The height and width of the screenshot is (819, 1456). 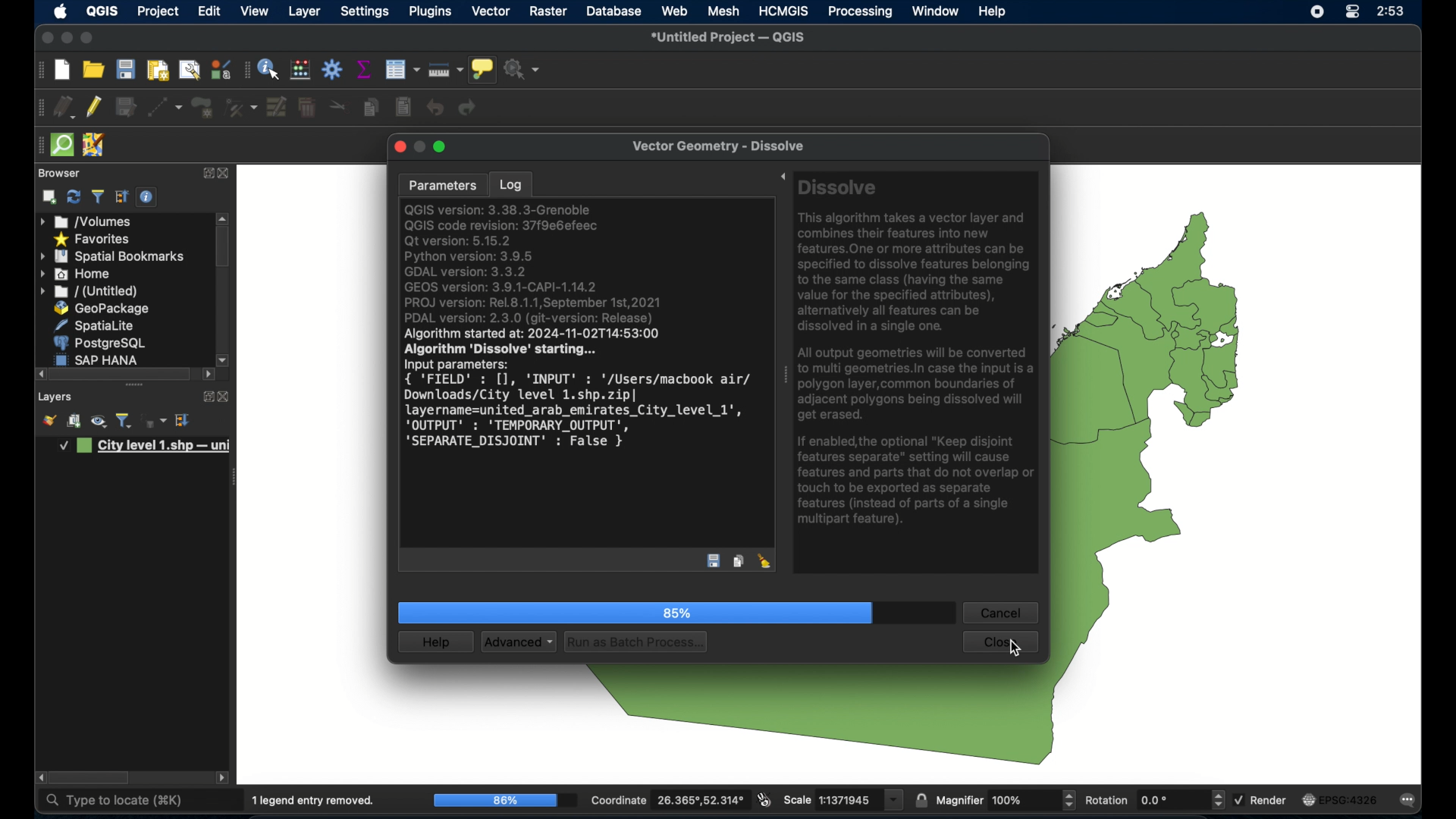 I want to click on layer, so click(x=305, y=13).